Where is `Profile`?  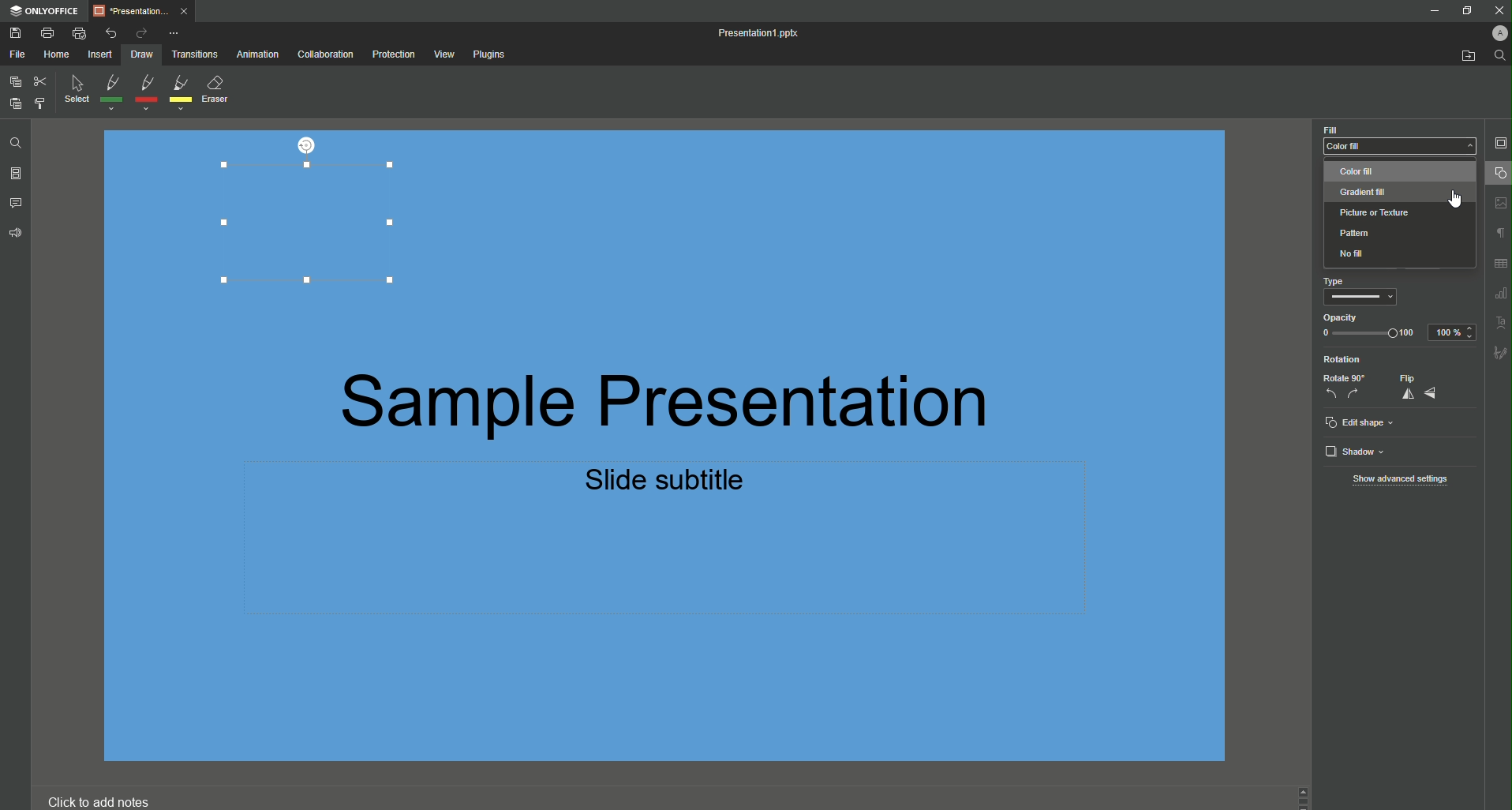
Profile is located at coordinates (1499, 33).